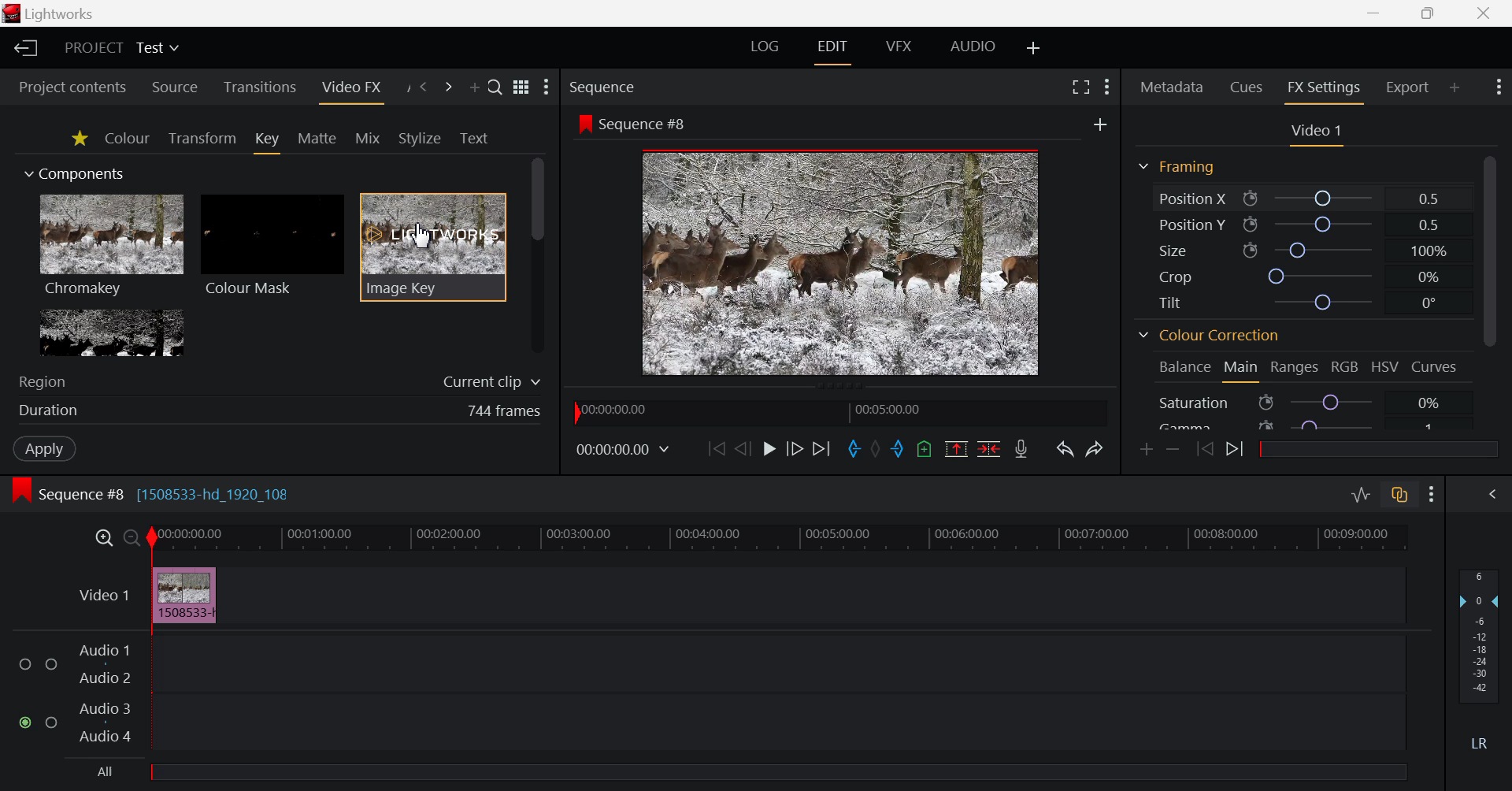 The image size is (1512, 791). Describe the element at coordinates (1243, 87) in the screenshot. I see `Cues` at that location.